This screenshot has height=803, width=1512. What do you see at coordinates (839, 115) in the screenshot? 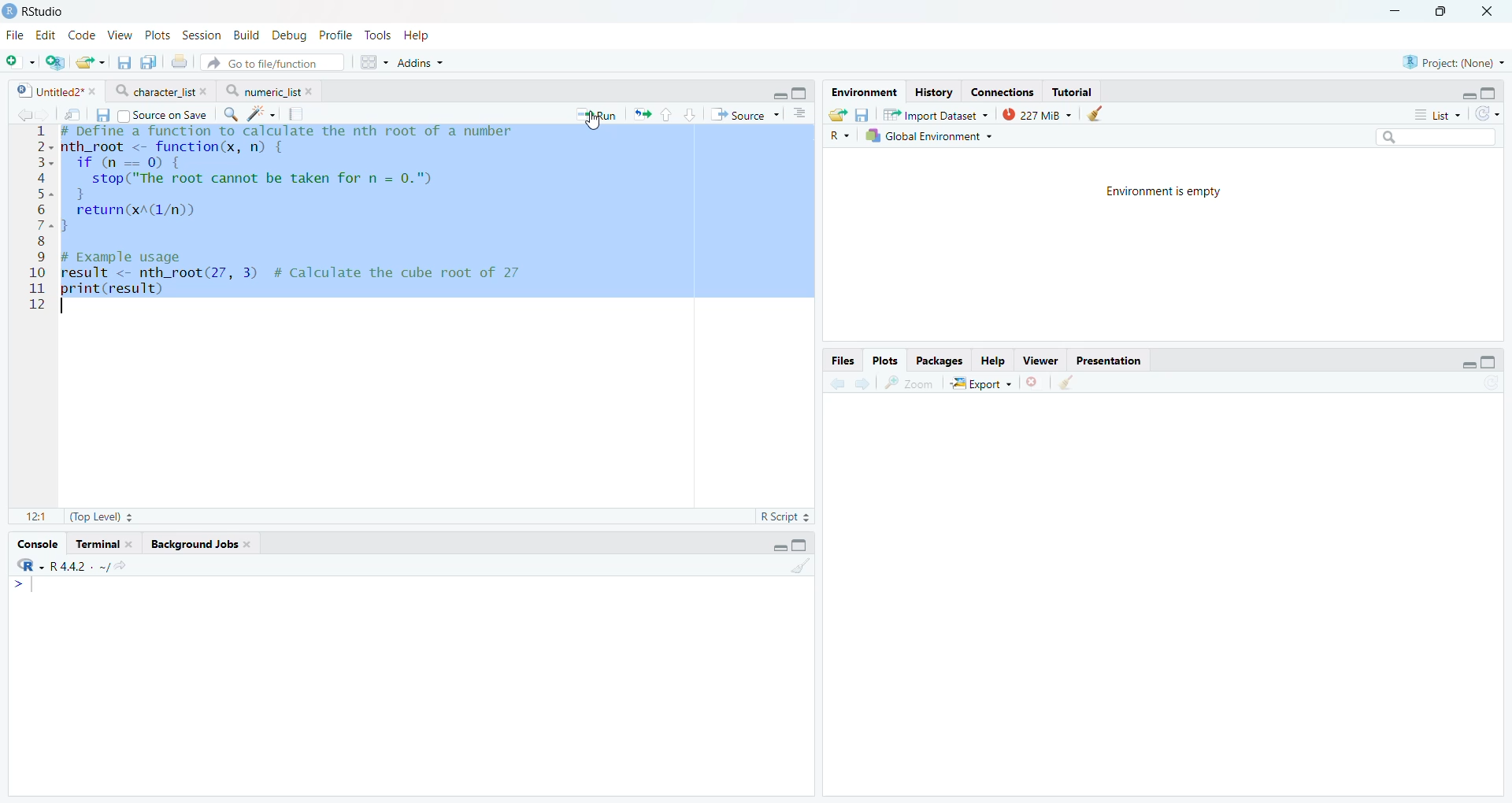
I see `Export history log` at bounding box center [839, 115].